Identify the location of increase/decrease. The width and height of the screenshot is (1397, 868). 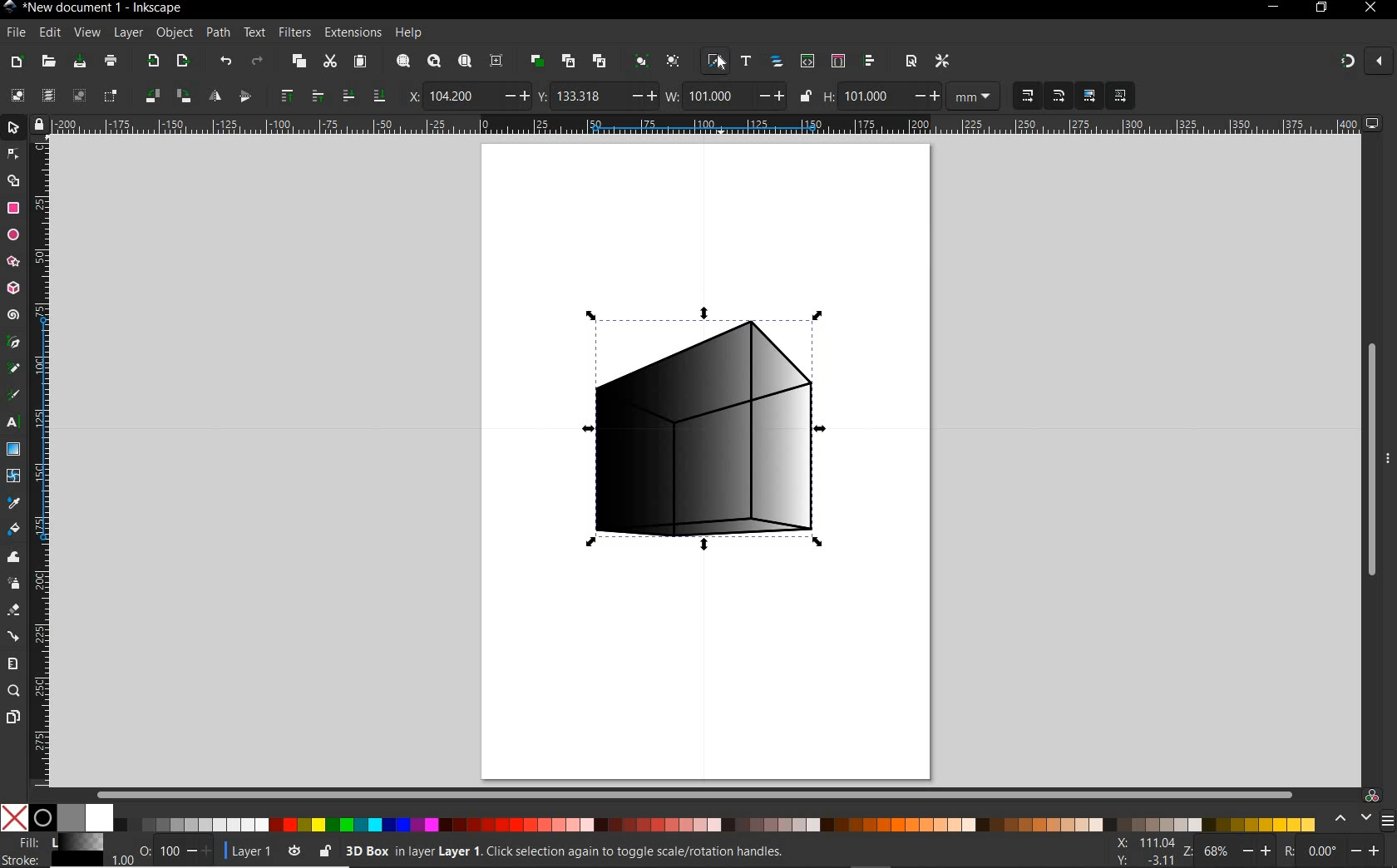
(1370, 851).